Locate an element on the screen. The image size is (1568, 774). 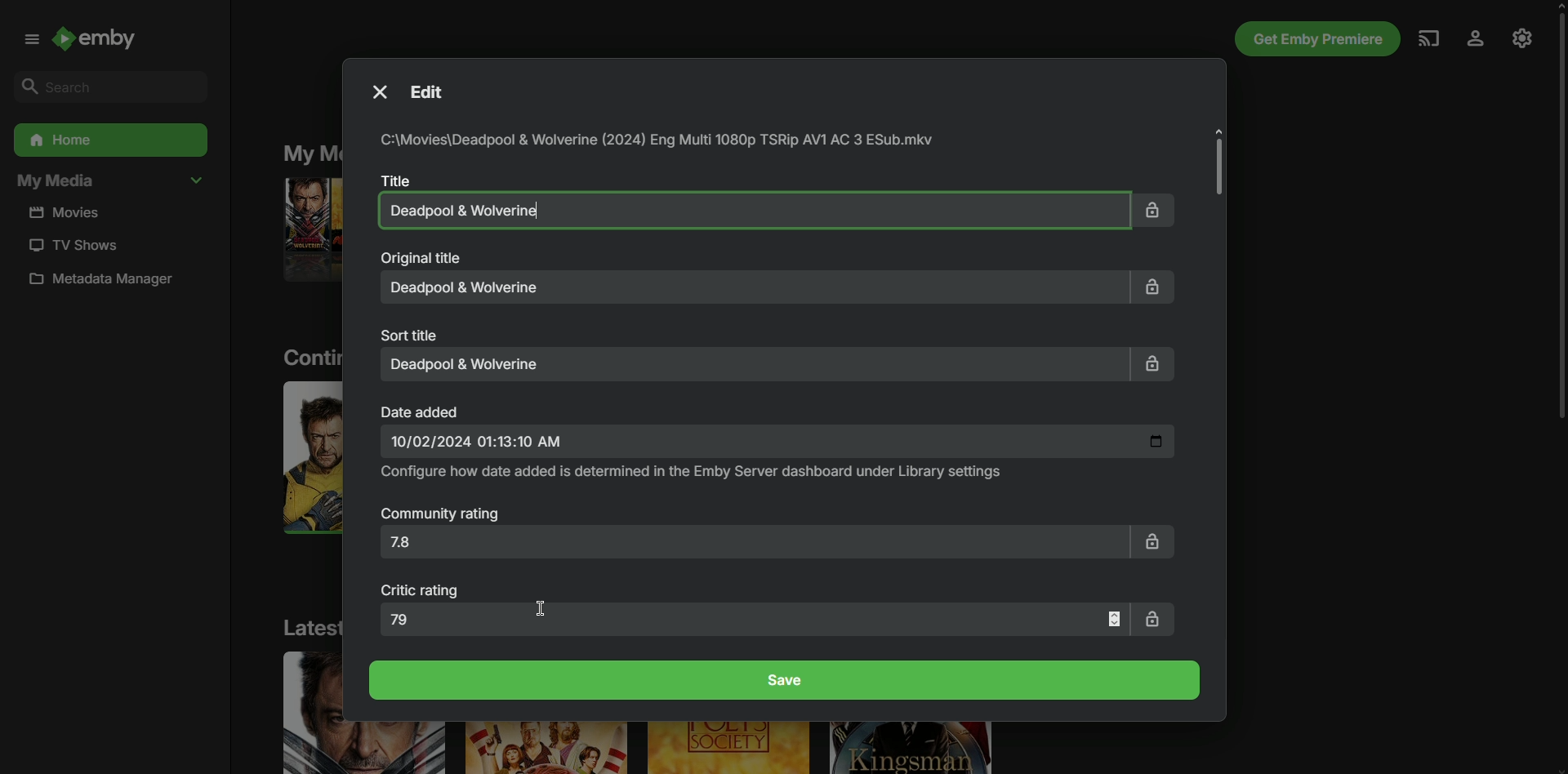
Profile is located at coordinates (1473, 39).